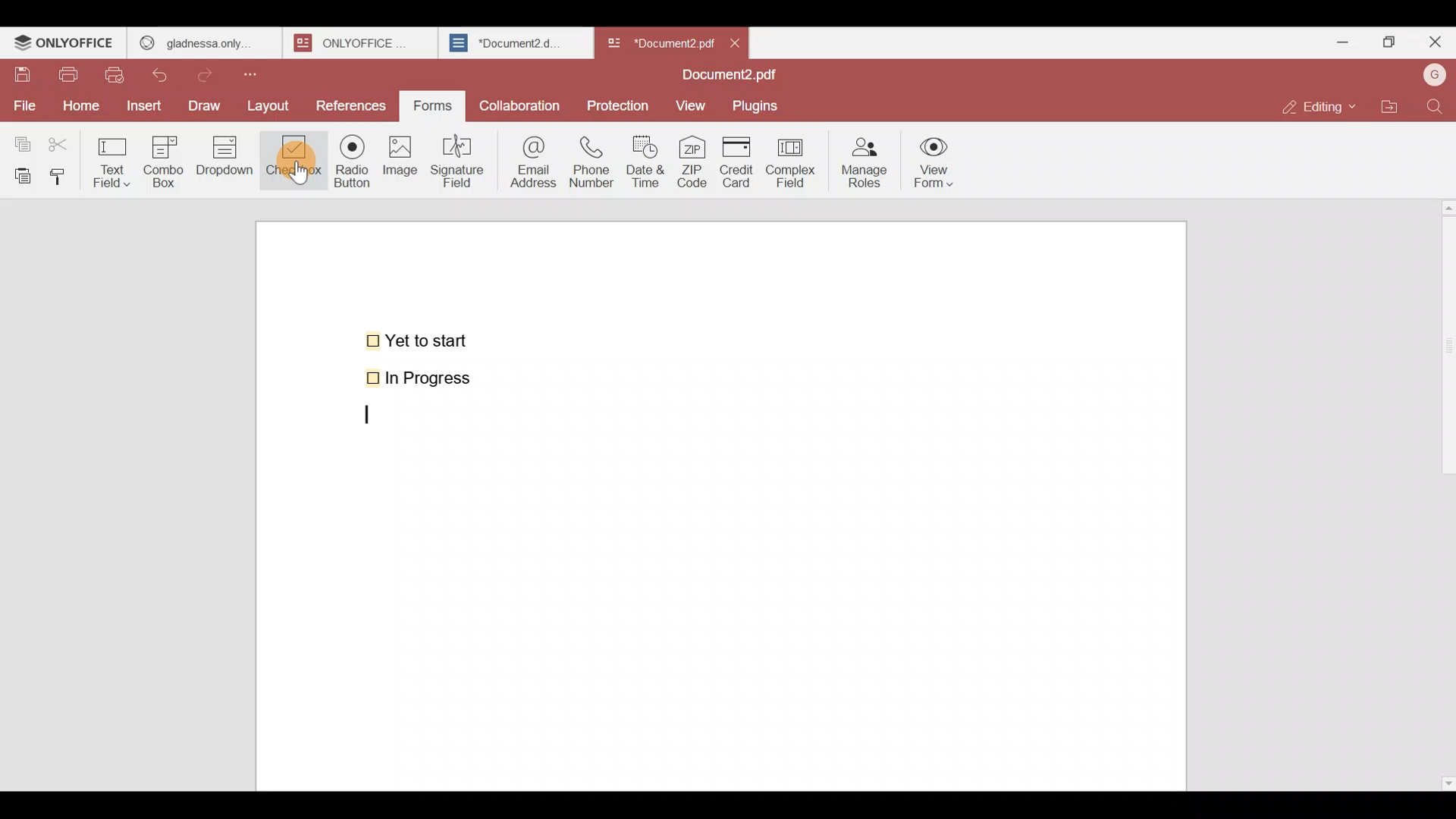 The image size is (1456, 819). What do you see at coordinates (1316, 107) in the screenshot?
I see `Editing mode` at bounding box center [1316, 107].